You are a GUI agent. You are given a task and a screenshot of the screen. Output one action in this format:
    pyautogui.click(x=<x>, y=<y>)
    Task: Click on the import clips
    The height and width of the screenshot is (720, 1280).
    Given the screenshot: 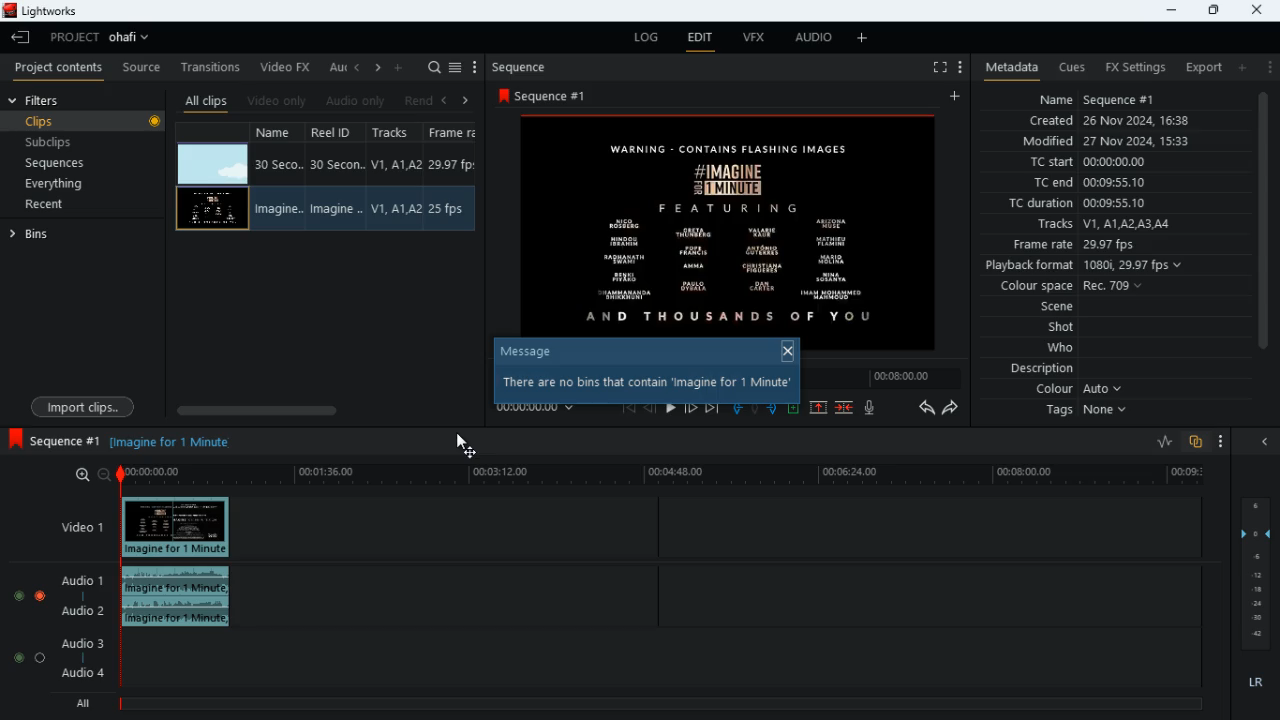 What is the action you would take?
    pyautogui.click(x=86, y=405)
    